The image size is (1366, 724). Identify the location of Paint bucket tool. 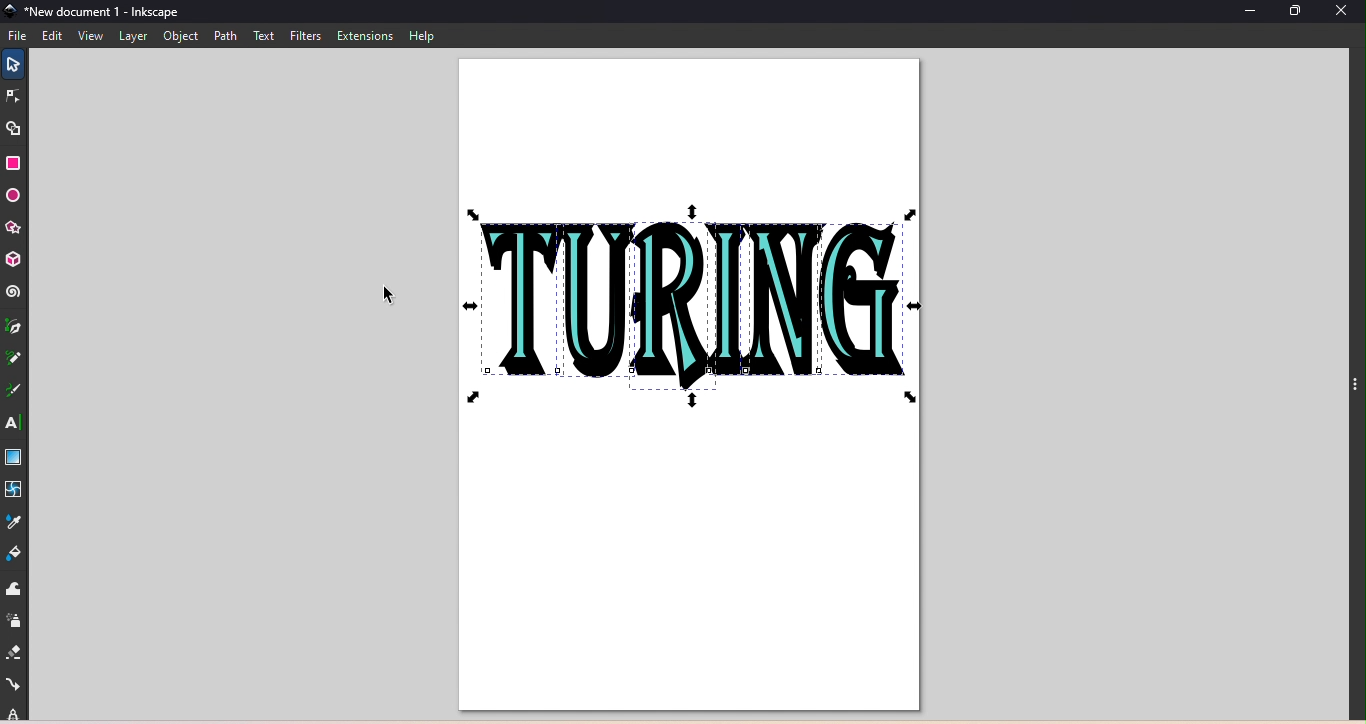
(19, 553).